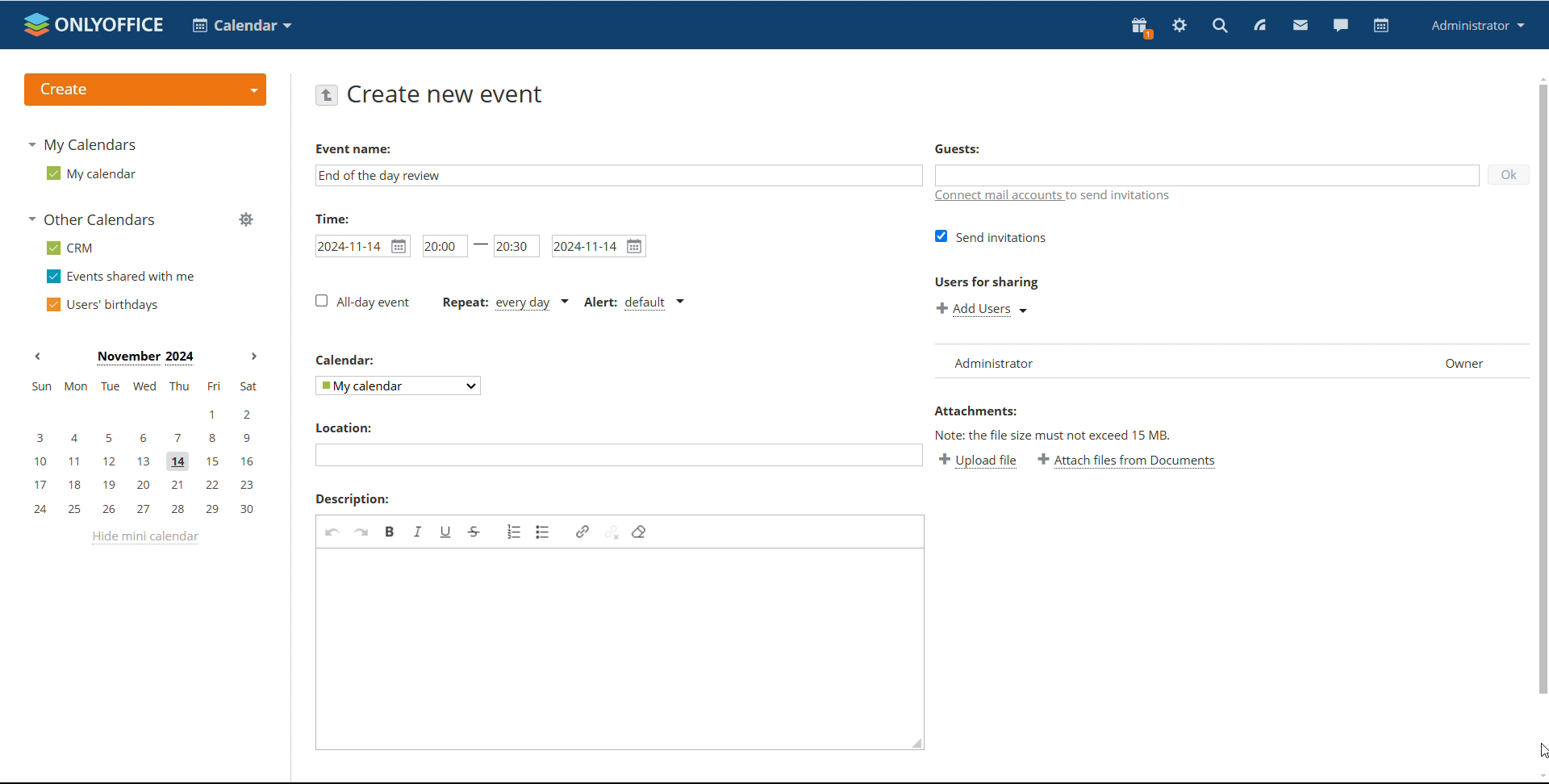  Describe the element at coordinates (145, 358) in the screenshot. I see `Month on display` at that location.